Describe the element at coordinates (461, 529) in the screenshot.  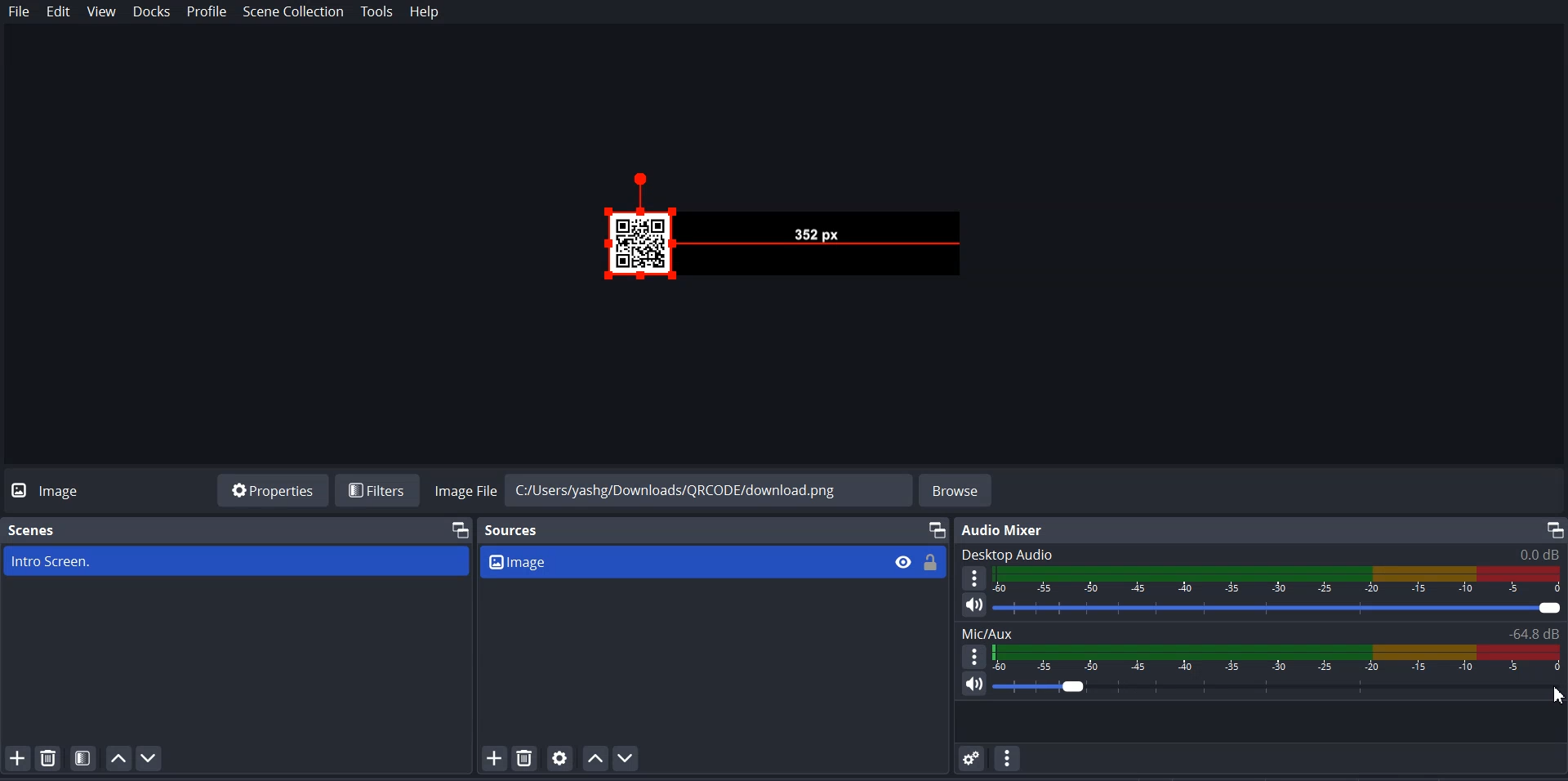
I see `Maximize` at that location.